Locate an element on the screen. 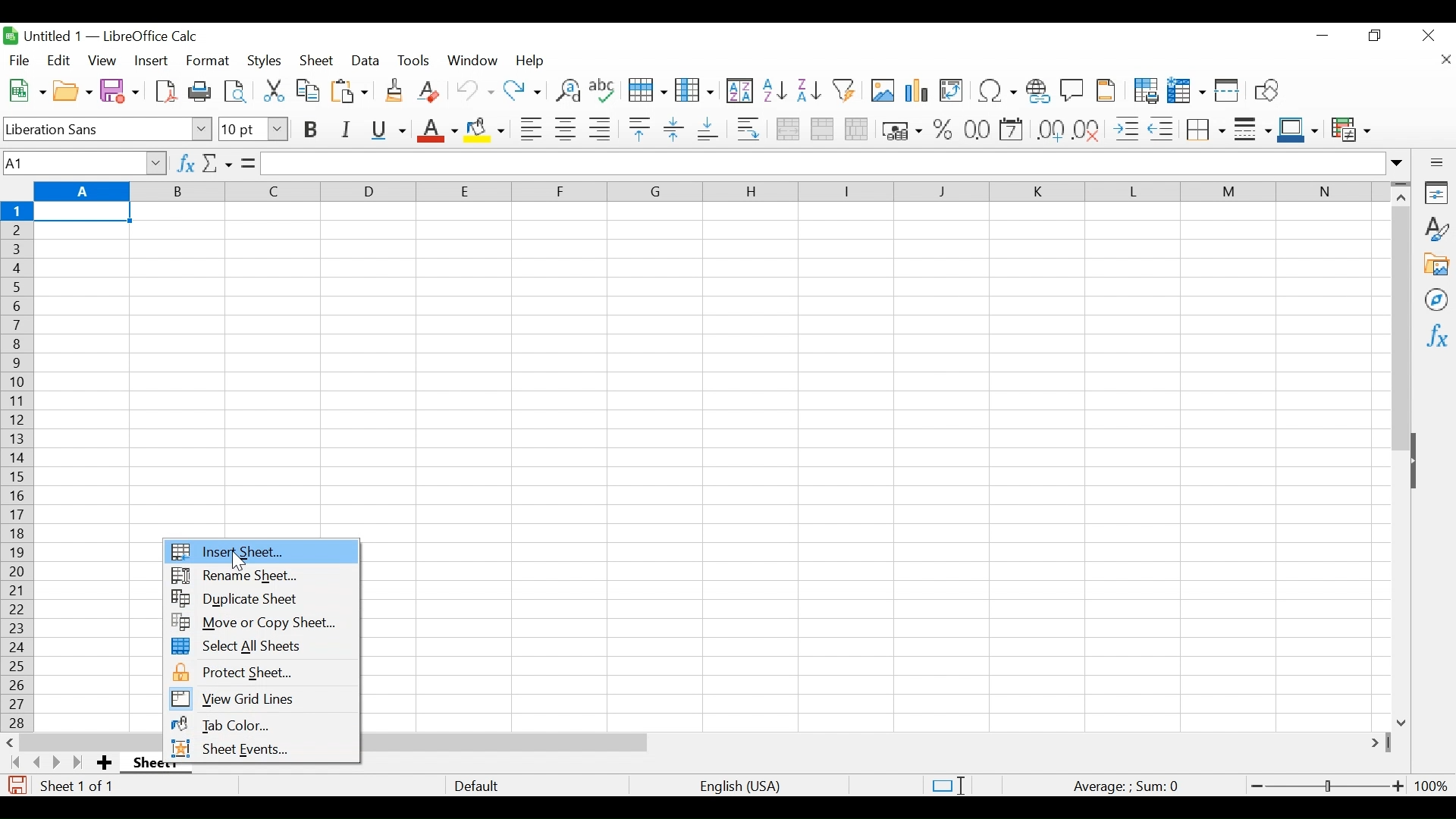  Italics is located at coordinates (344, 130).